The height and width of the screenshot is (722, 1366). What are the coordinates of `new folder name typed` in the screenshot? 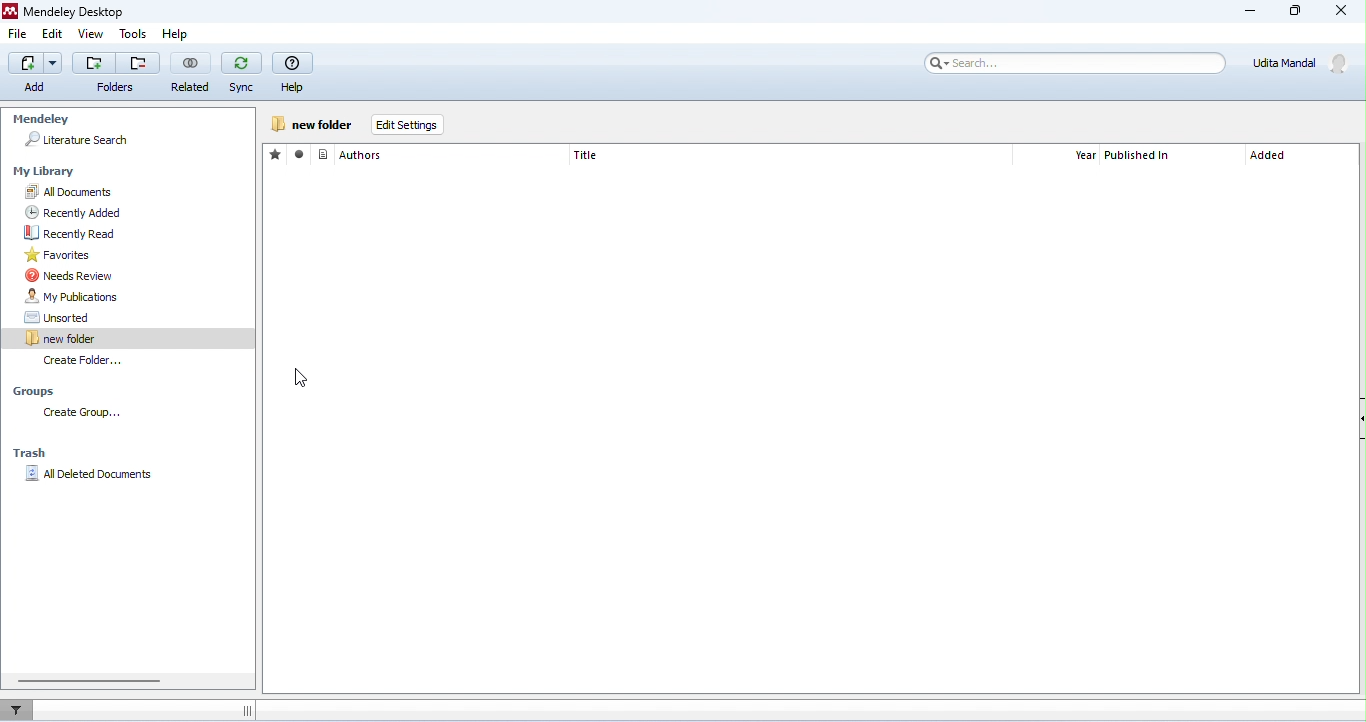 It's located at (67, 339).